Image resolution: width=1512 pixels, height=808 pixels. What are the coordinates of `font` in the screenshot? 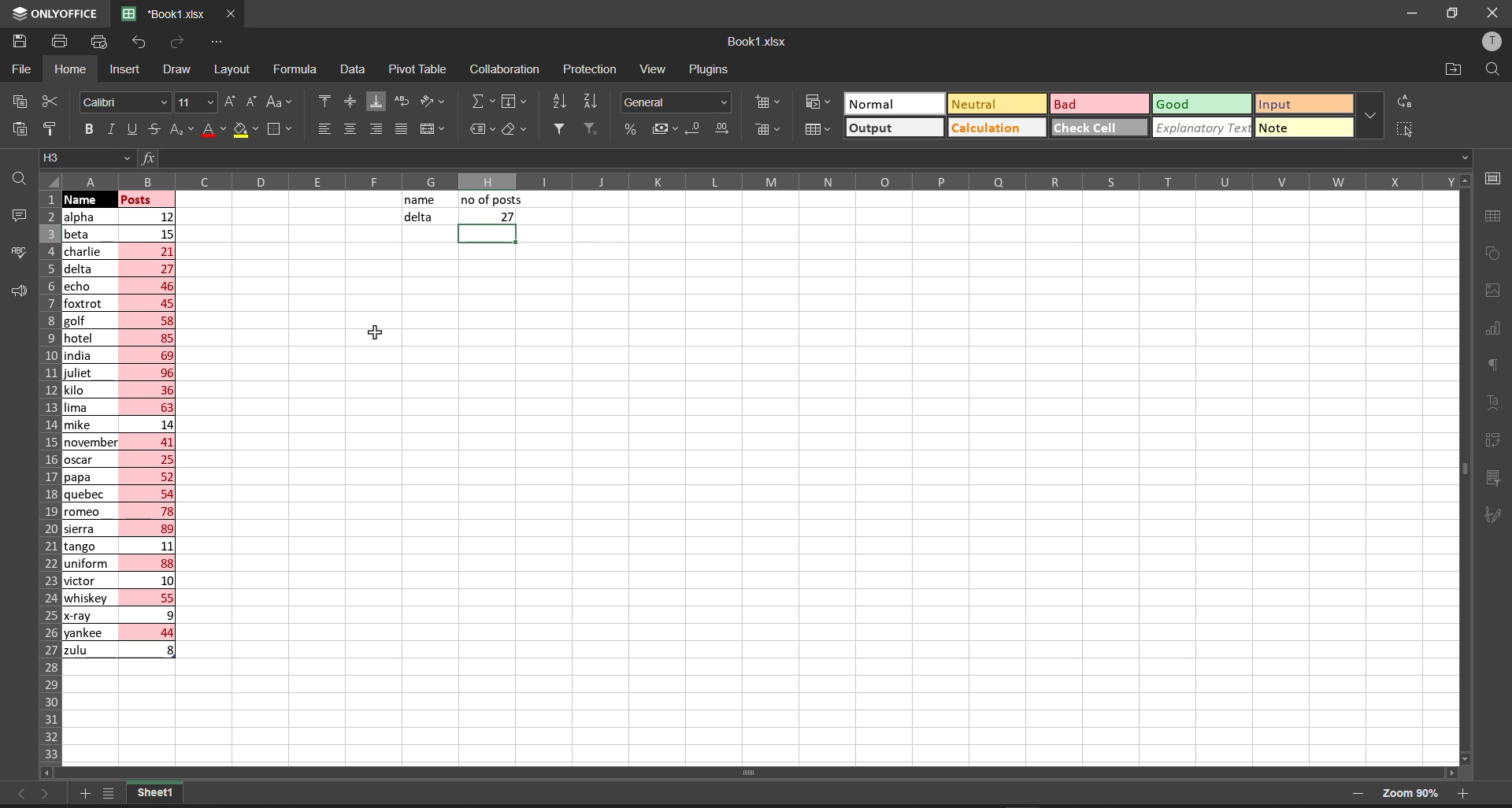 It's located at (124, 101).